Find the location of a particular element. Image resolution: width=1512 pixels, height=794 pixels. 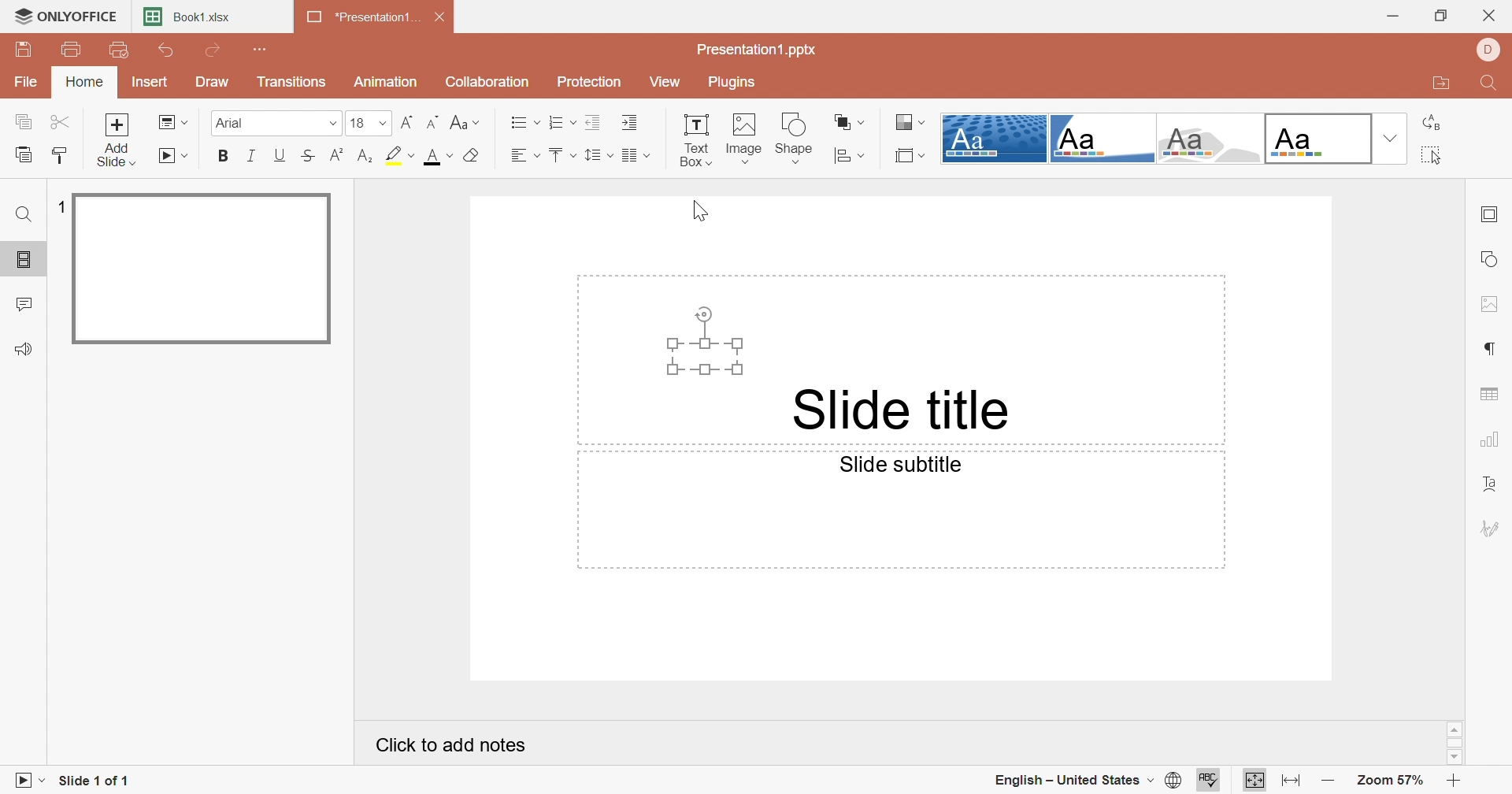

Slide settings is located at coordinates (1492, 213).